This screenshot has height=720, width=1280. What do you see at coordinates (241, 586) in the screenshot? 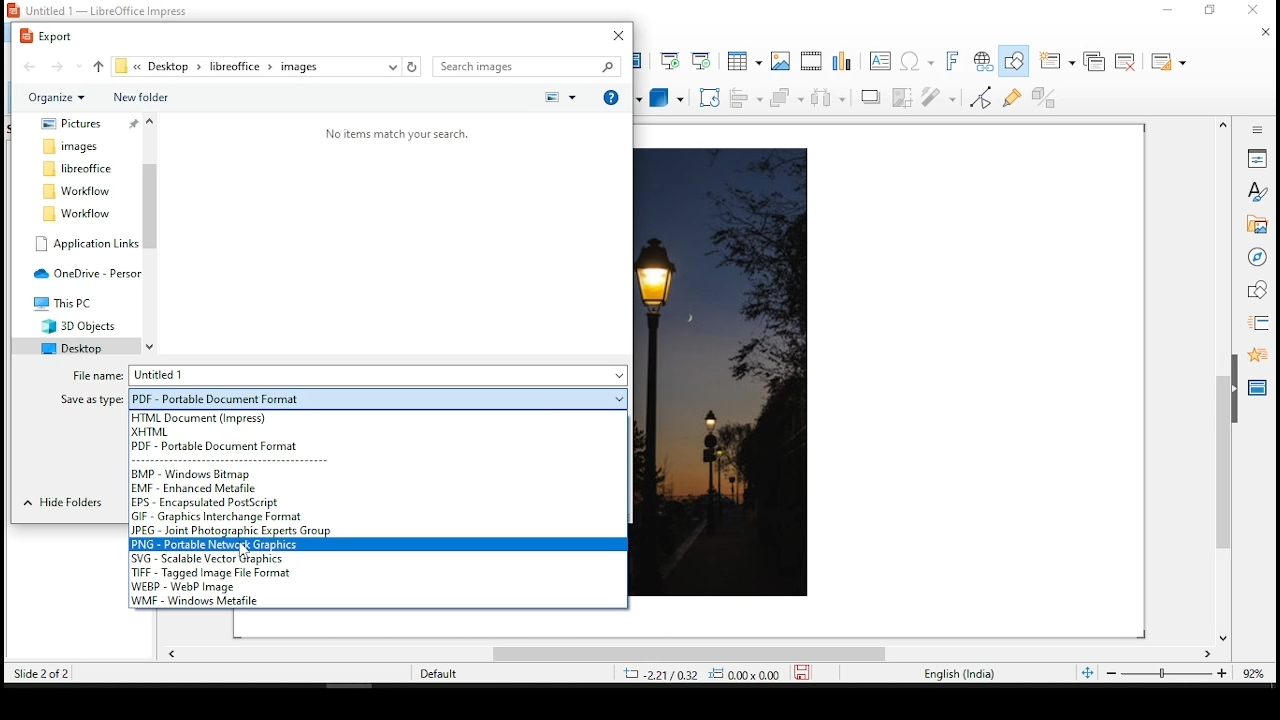
I see `webp` at bounding box center [241, 586].